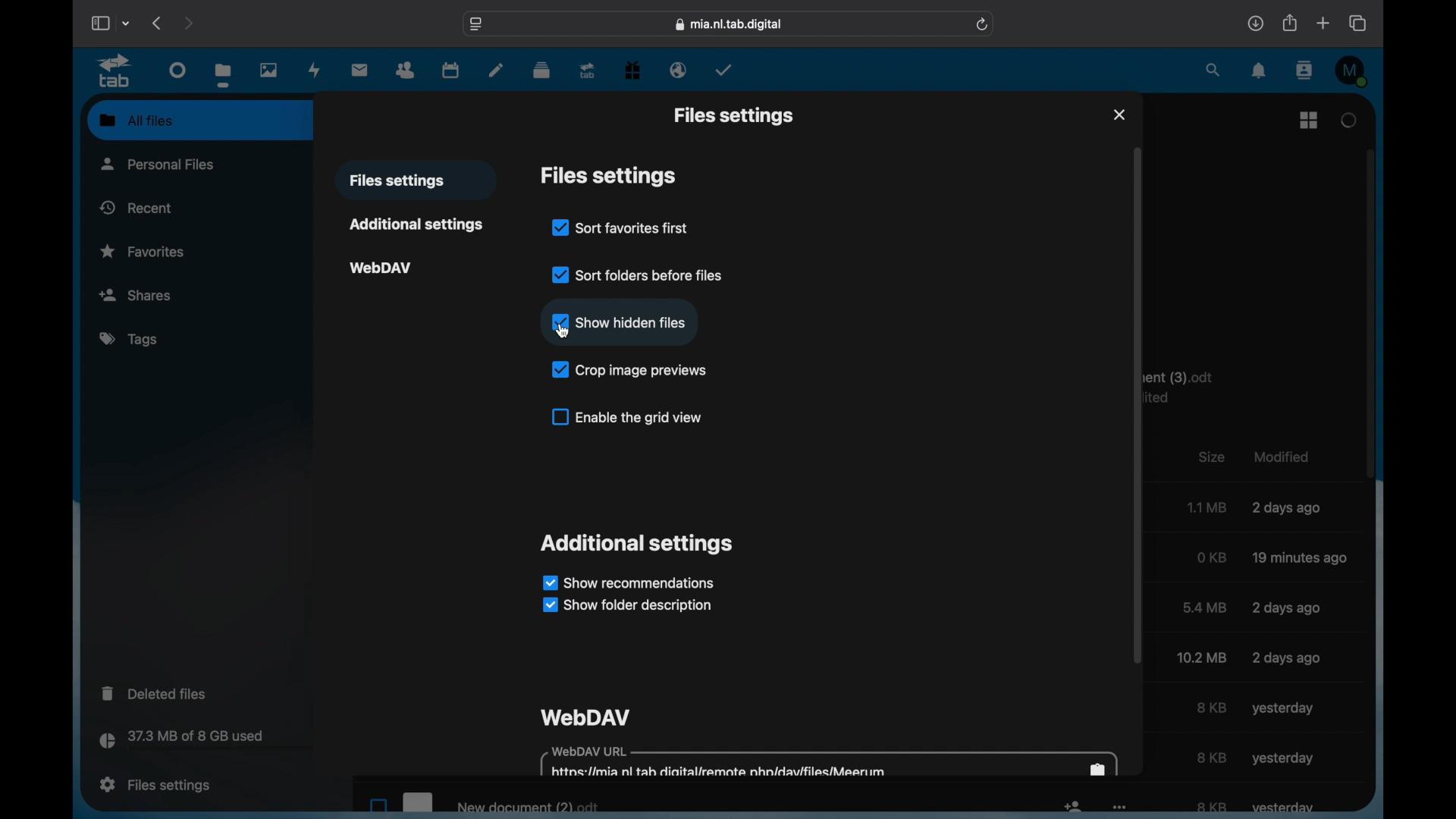 The image size is (1456, 819). I want to click on modified, so click(1301, 559).